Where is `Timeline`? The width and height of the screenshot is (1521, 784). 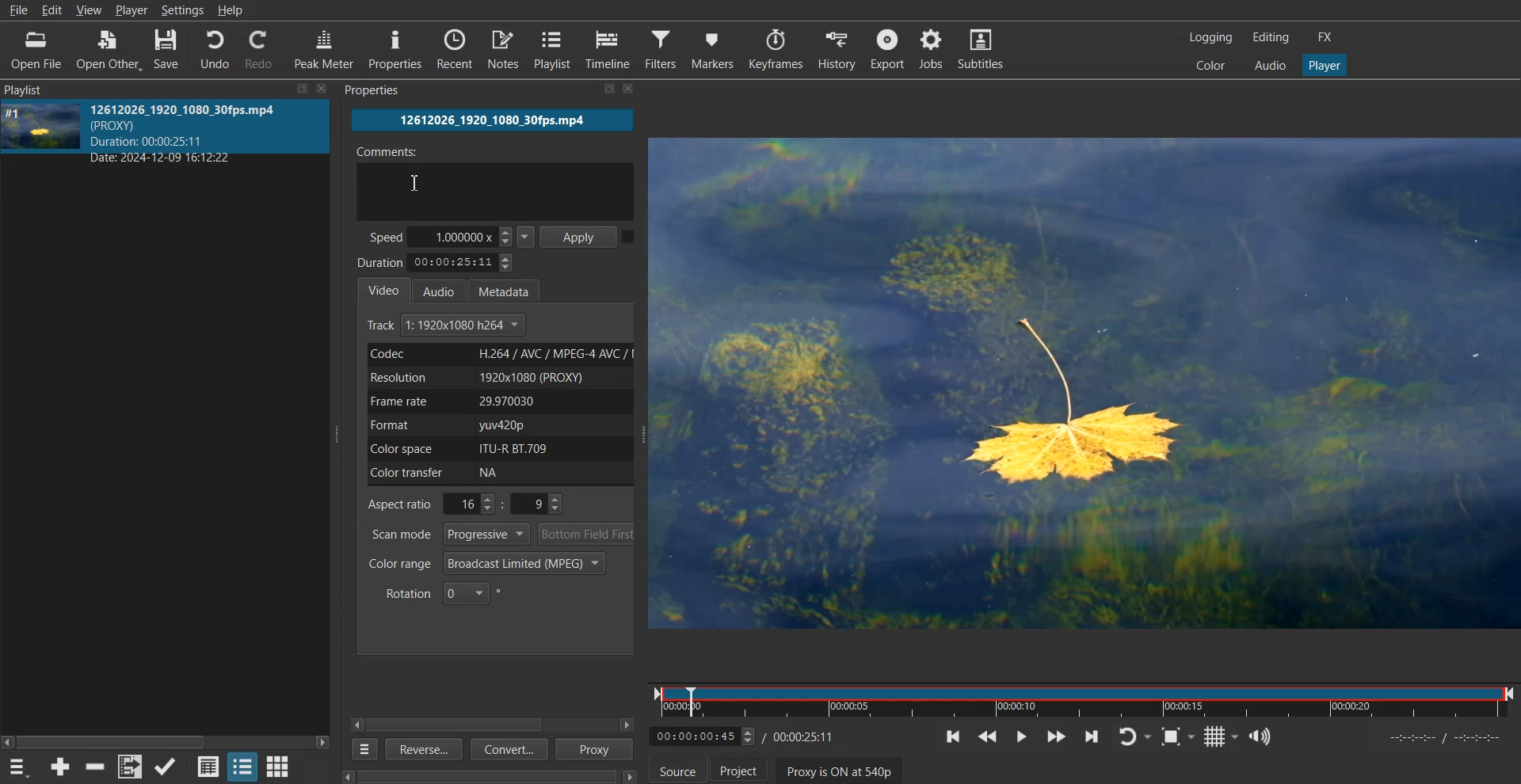
Timeline is located at coordinates (1083, 698).